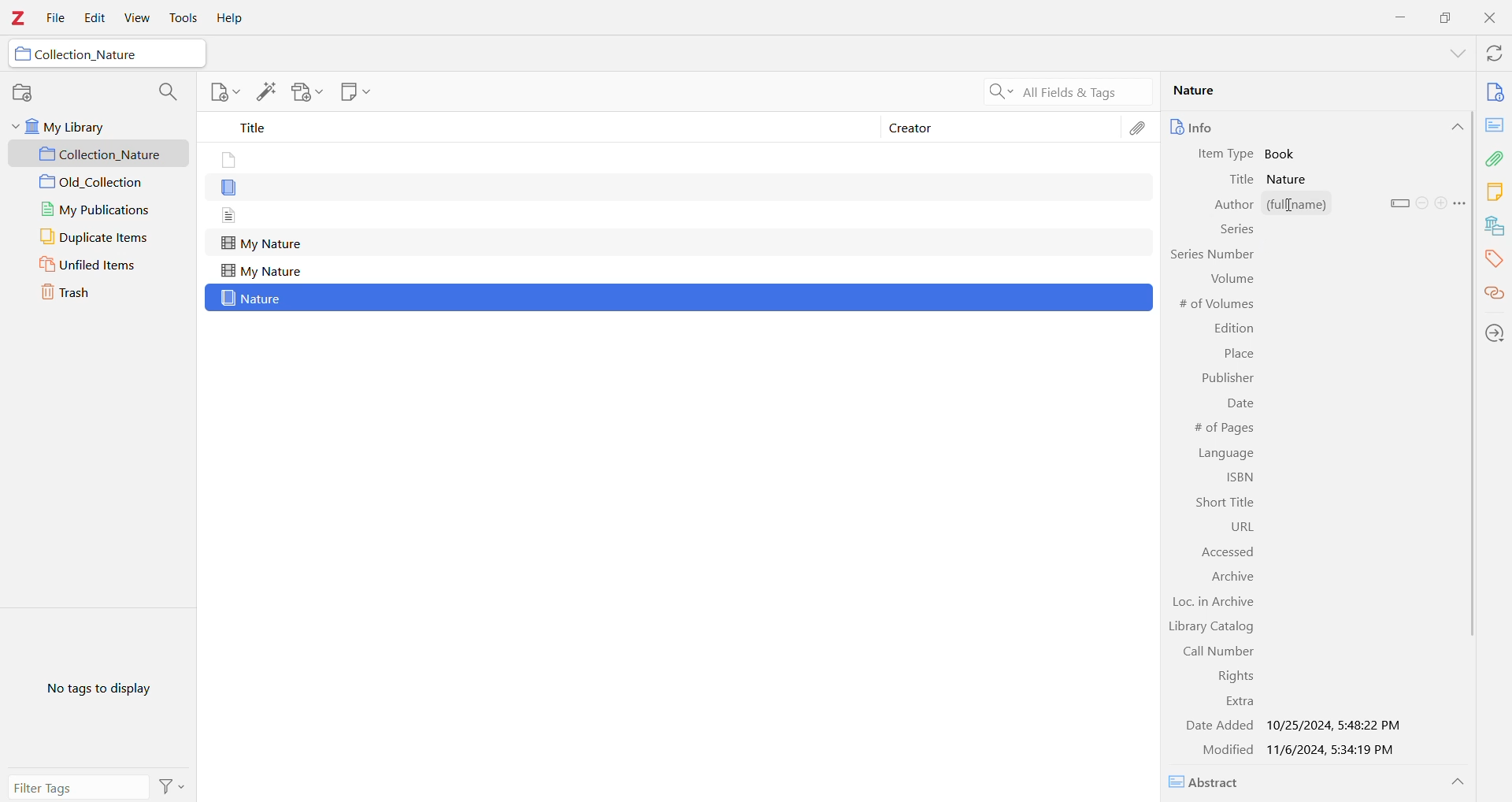 This screenshot has width=1512, height=802. I want to click on Date, so click(1240, 406).